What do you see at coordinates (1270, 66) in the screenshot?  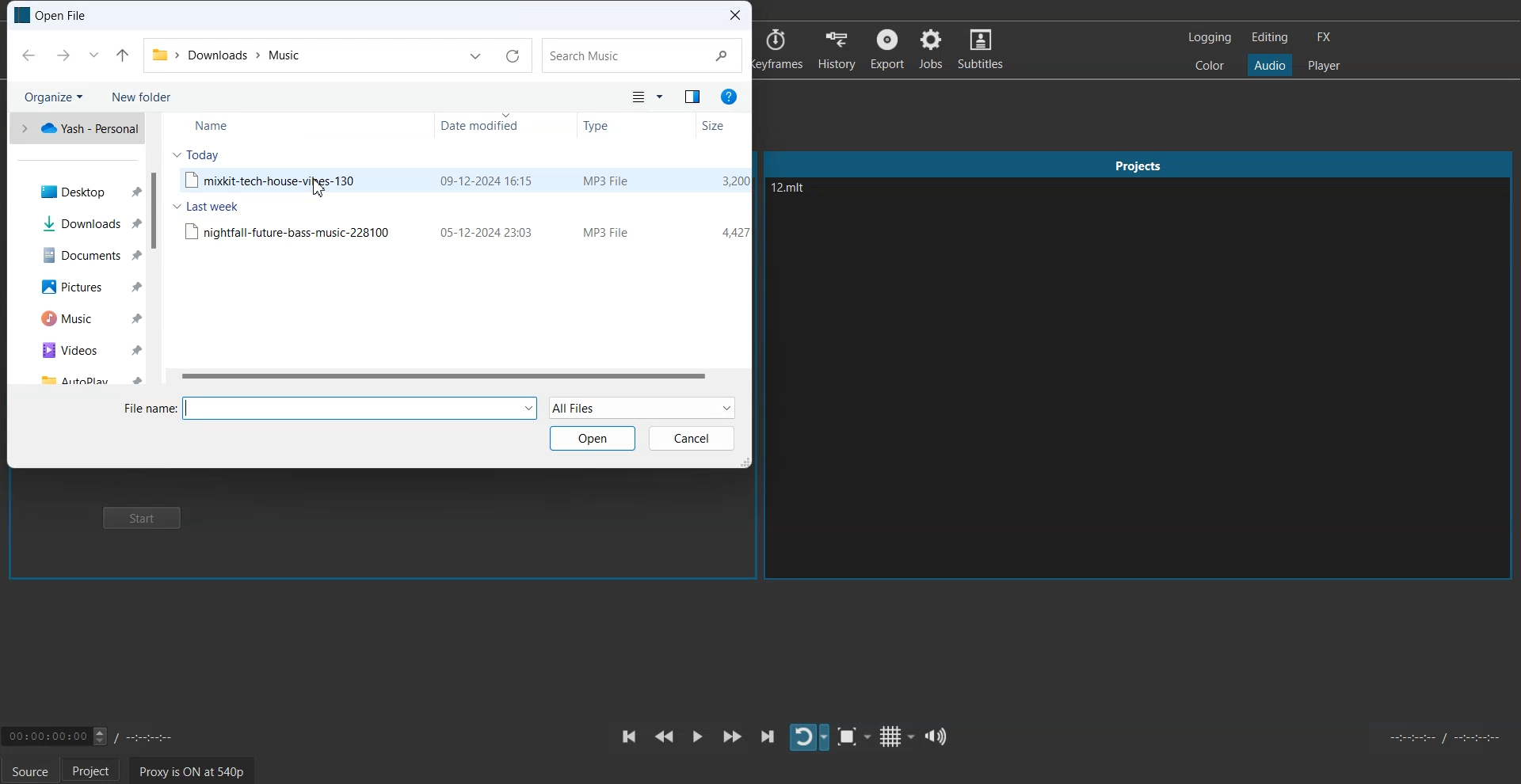 I see `Audio` at bounding box center [1270, 66].